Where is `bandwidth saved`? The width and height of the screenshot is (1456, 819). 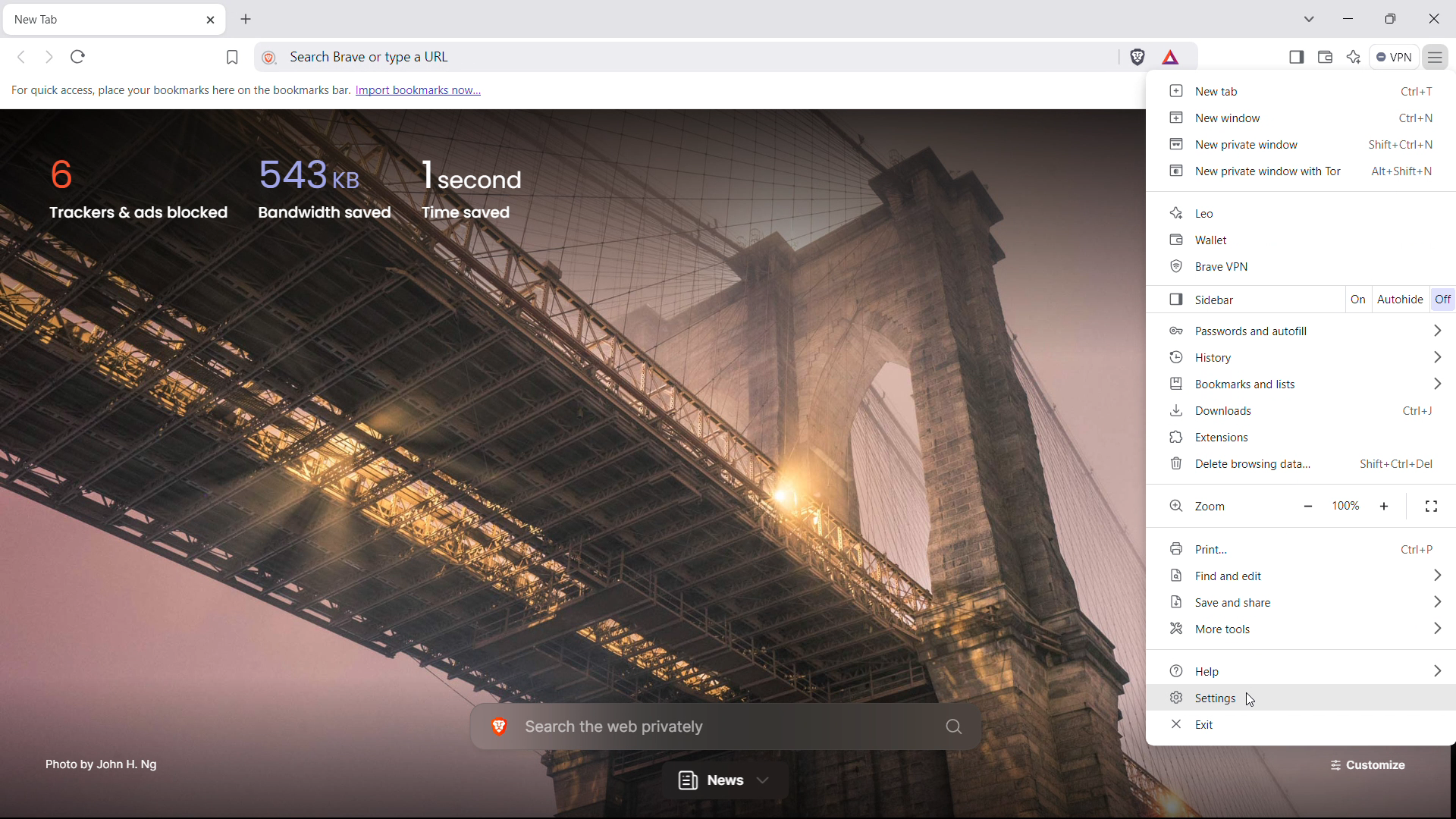
bandwidth saved is located at coordinates (325, 215).